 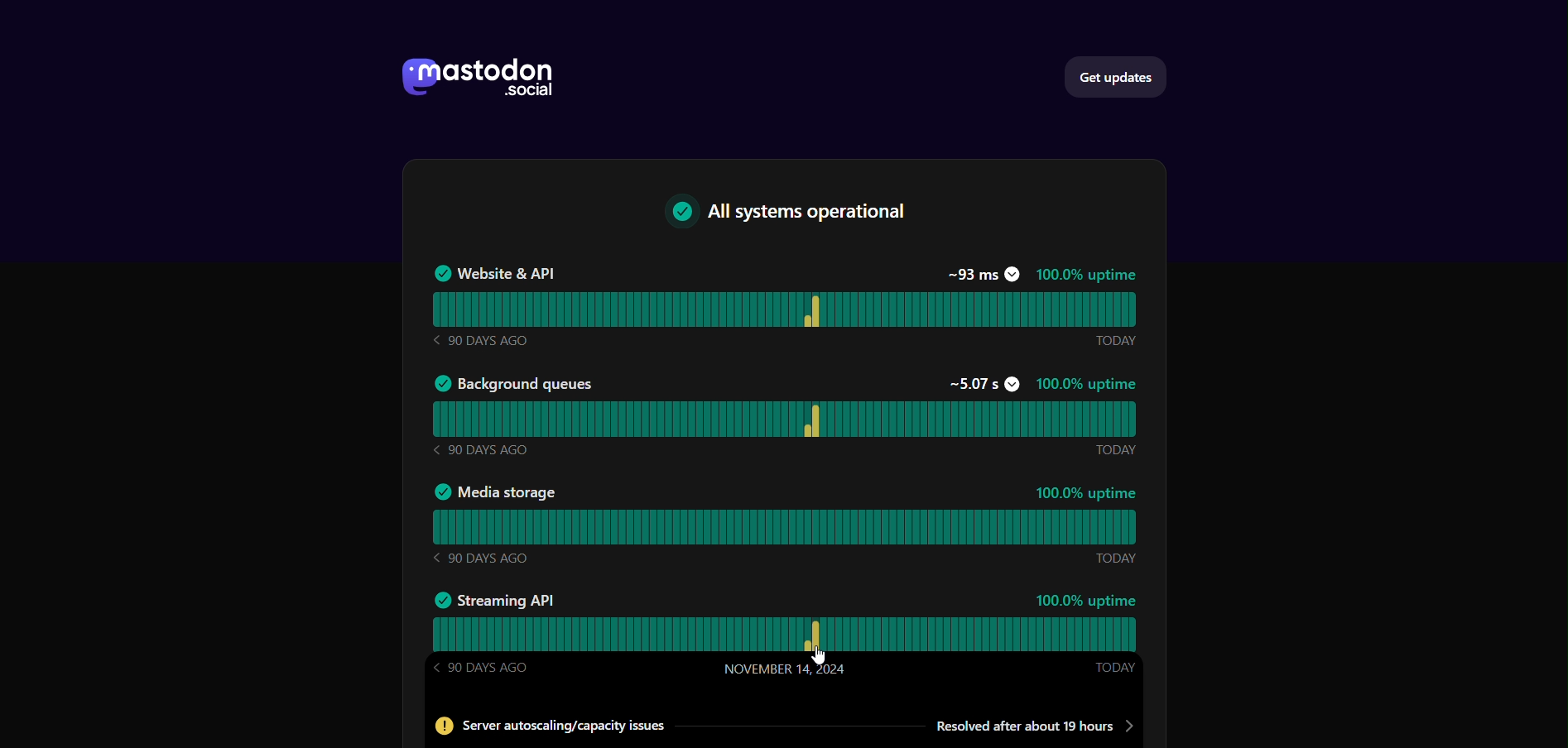 What do you see at coordinates (794, 215) in the screenshot?
I see `text` at bounding box center [794, 215].